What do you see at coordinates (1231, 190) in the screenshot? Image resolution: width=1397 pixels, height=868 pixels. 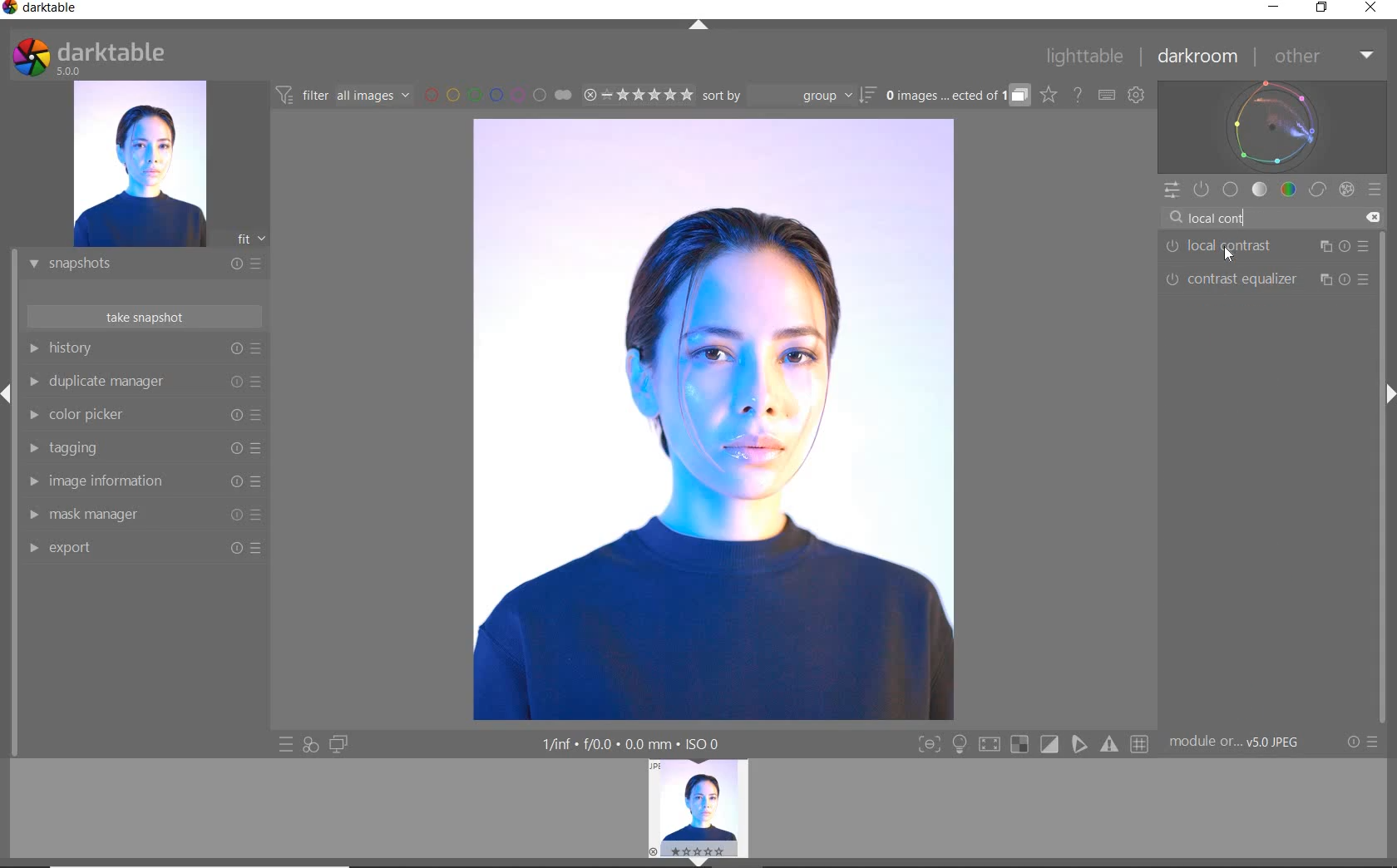 I see `BASE` at bounding box center [1231, 190].